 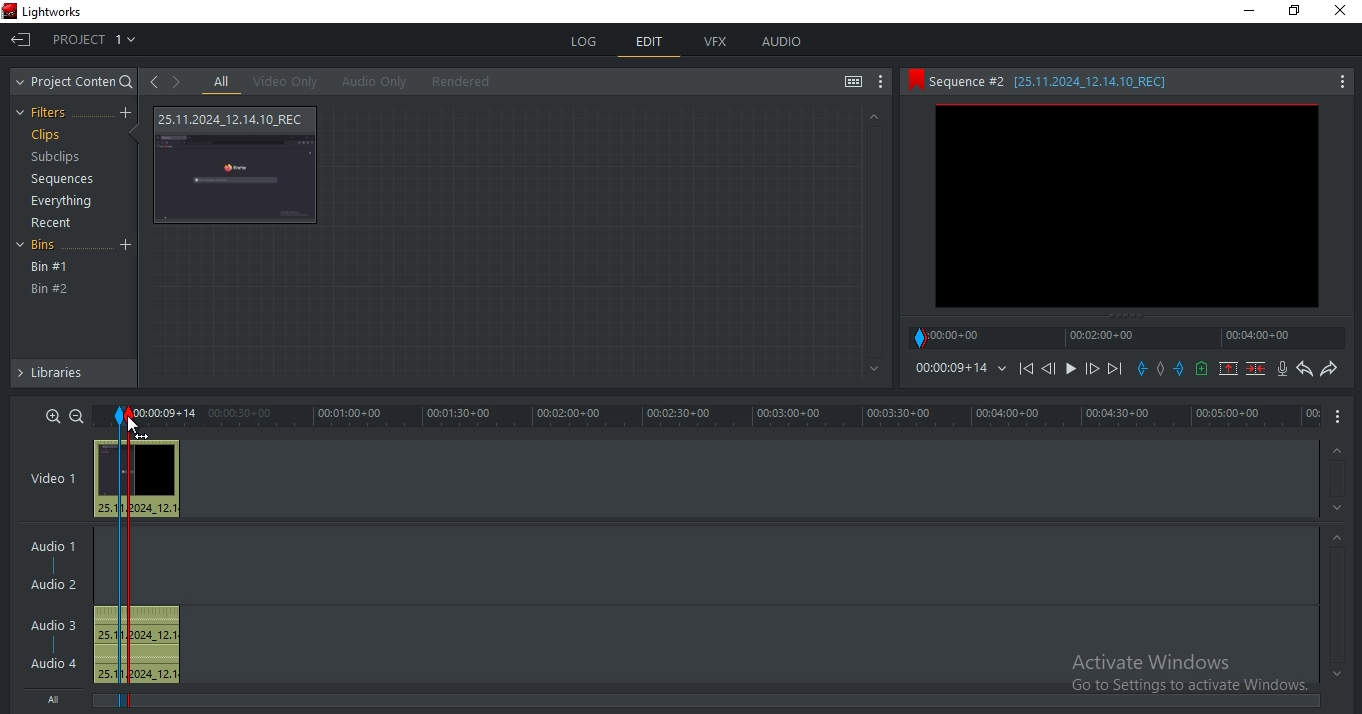 What do you see at coordinates (59, 701) in the screenshot?
I see `All` at bounding box center [59, 701].